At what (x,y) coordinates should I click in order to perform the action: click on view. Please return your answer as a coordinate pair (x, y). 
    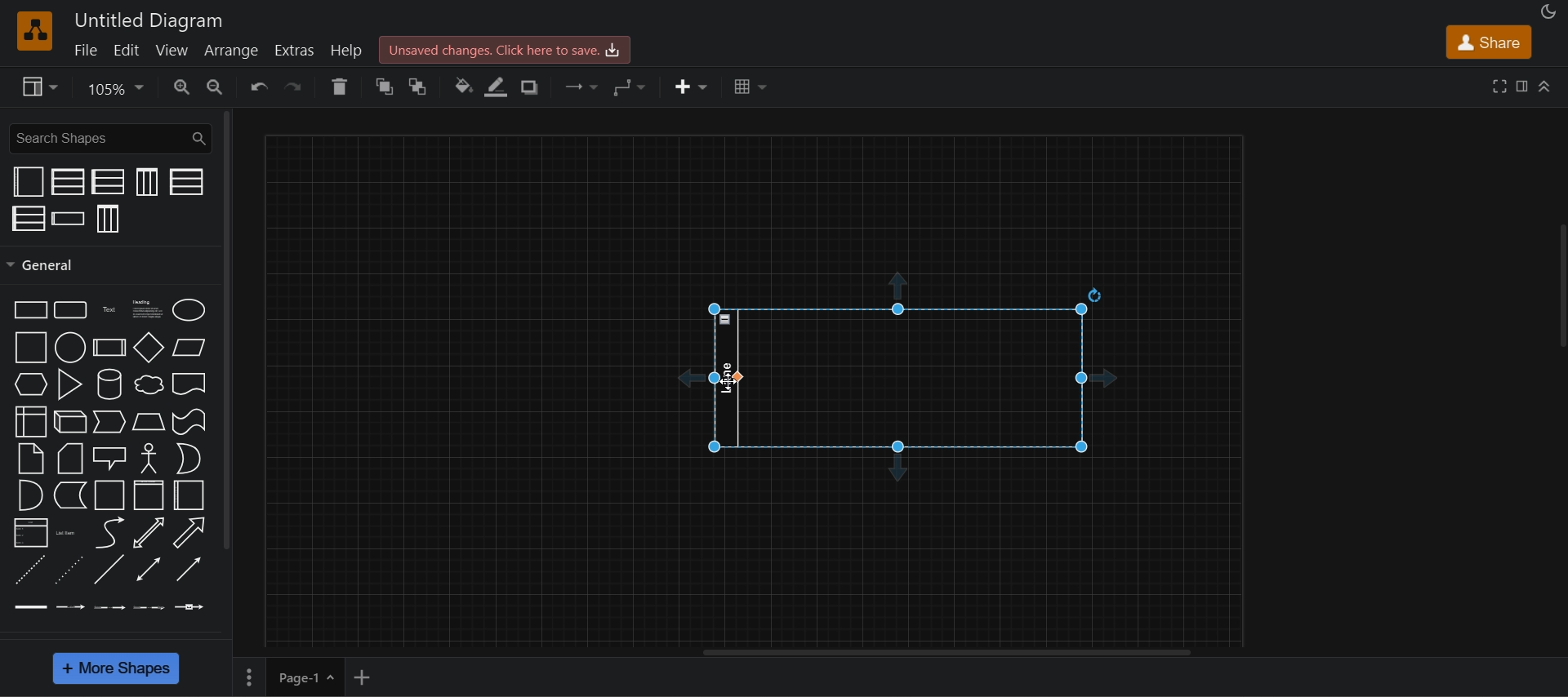
    Looking at the image, I should click on (172, 48).